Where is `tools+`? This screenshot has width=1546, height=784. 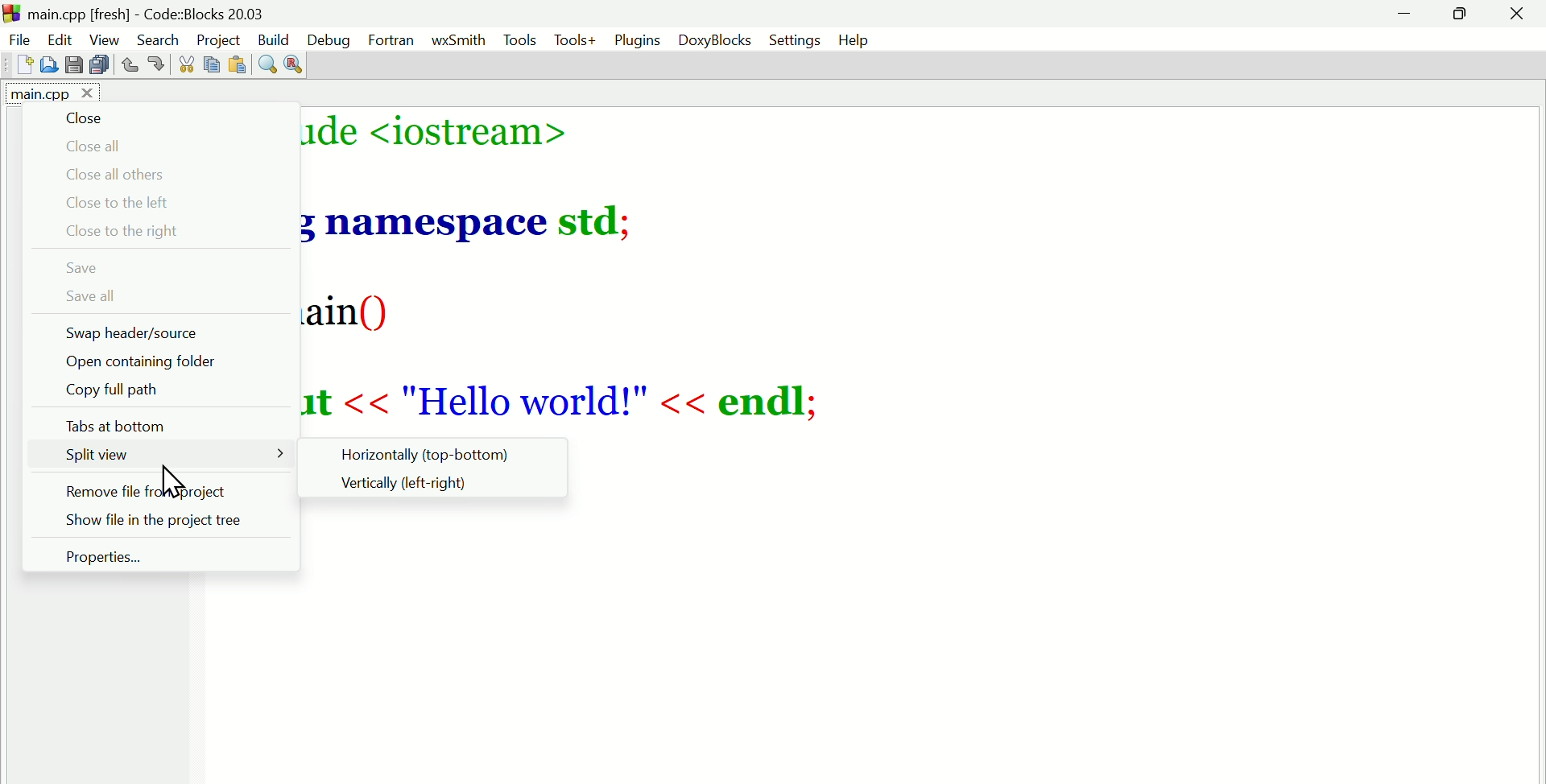 tools+ is located at coordinates (578, 40).